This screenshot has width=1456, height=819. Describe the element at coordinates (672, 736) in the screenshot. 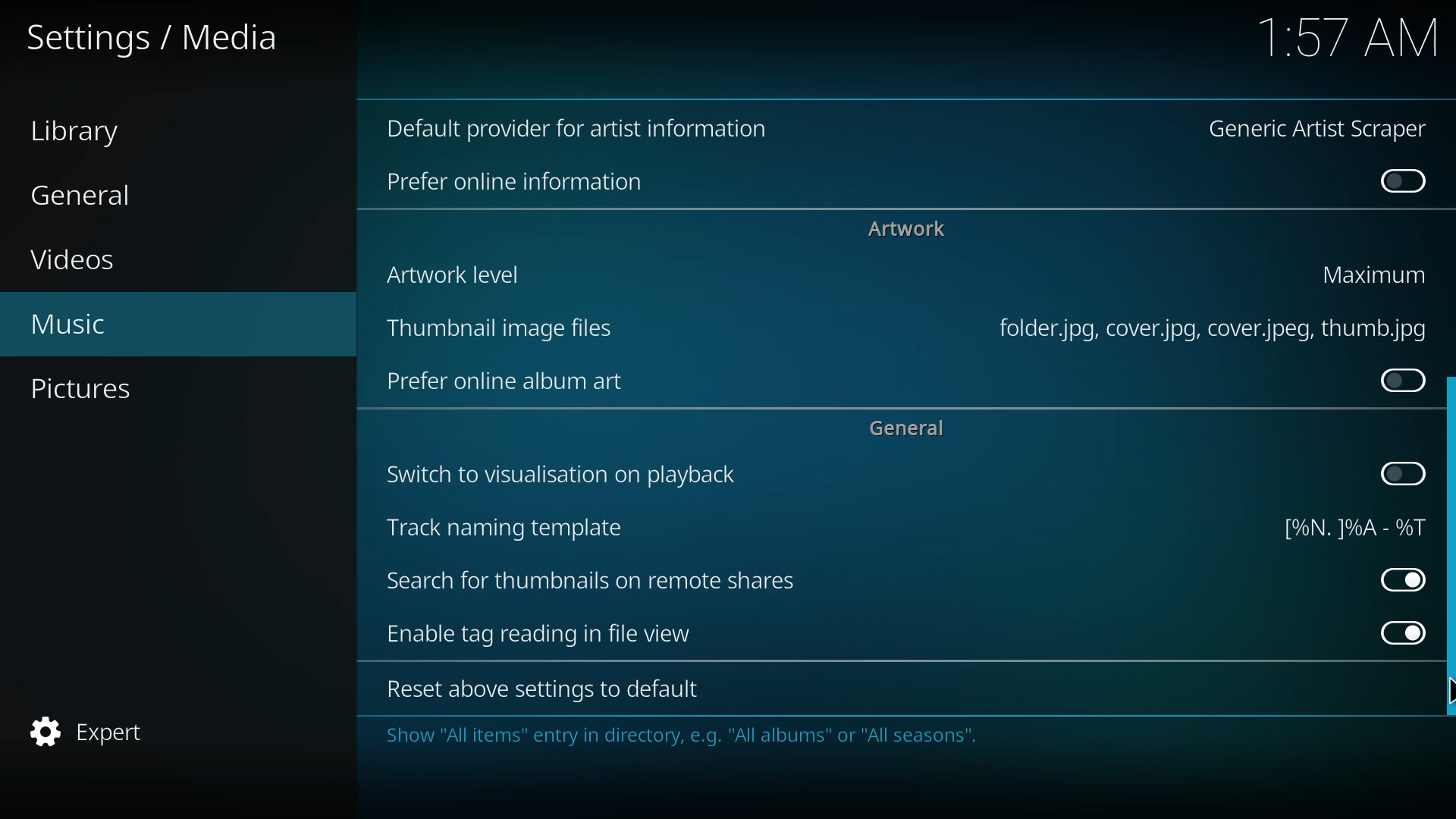

I see `info` at that location.